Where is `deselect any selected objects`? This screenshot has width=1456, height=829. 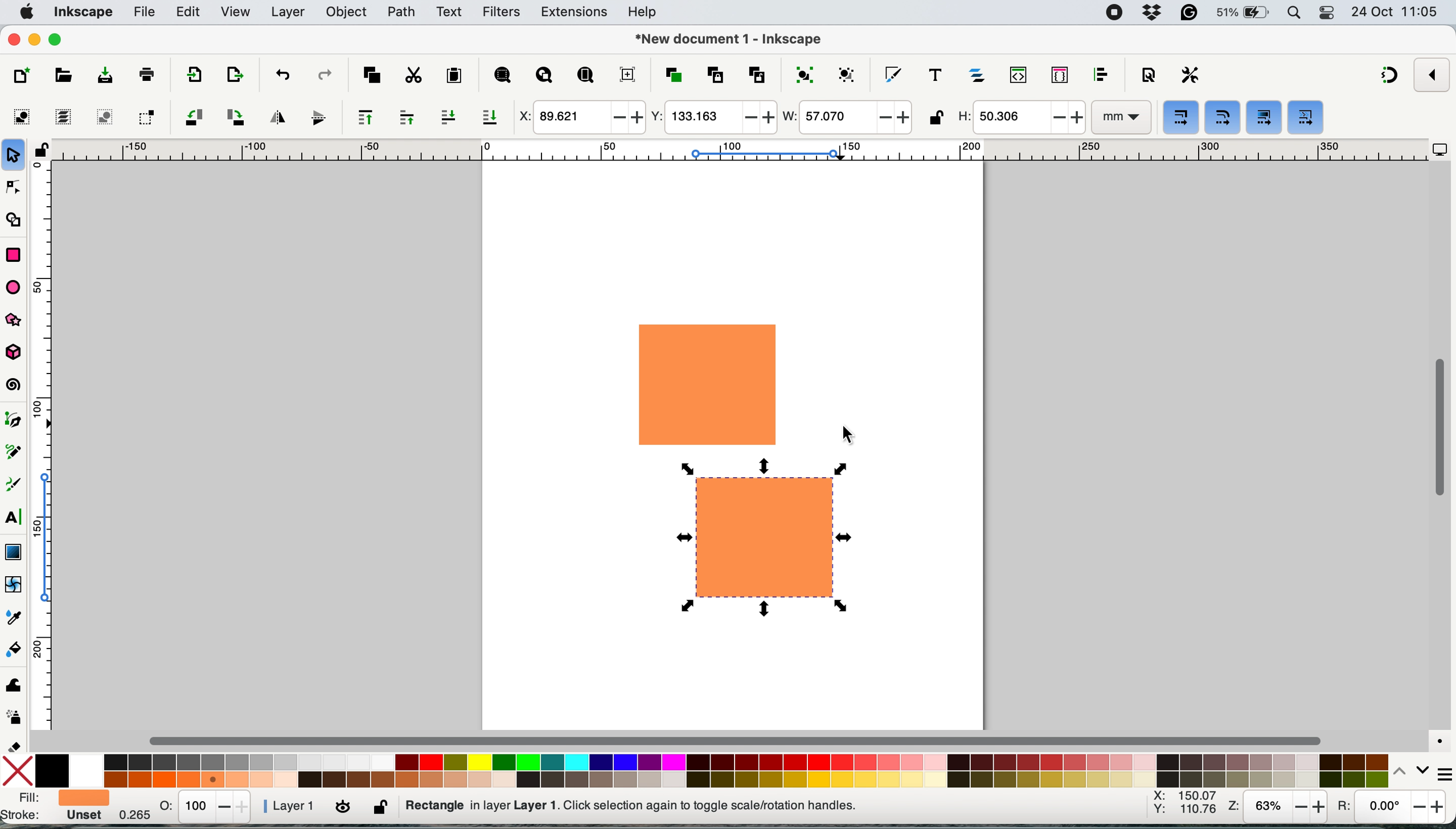
deselect any selected objects is located at coordinates (103, 117).